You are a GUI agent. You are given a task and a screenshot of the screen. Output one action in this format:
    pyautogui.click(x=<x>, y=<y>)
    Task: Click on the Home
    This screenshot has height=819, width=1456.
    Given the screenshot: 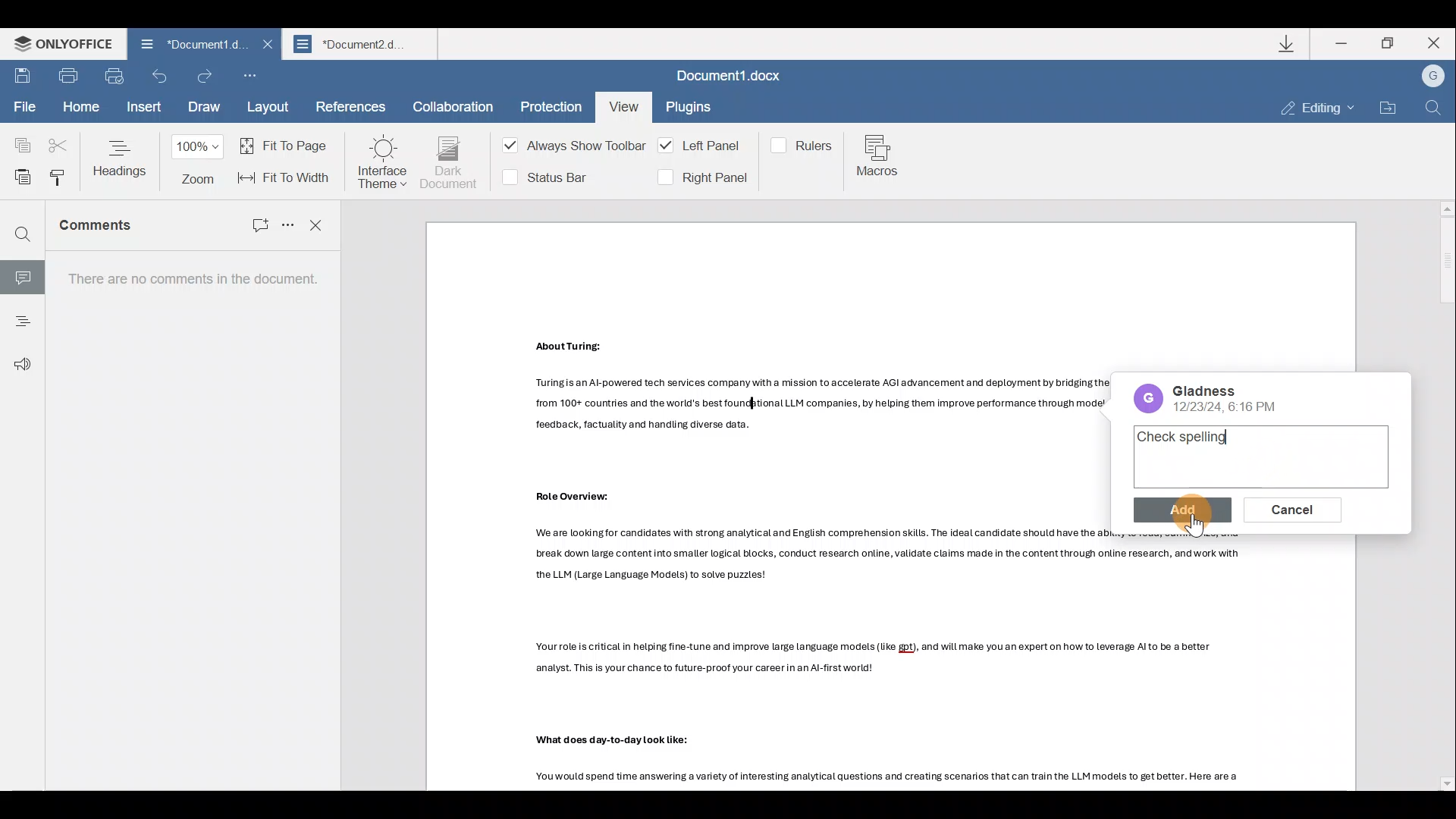 What is the action you would take?
    pyautogui.click(x=79, y=107)
    